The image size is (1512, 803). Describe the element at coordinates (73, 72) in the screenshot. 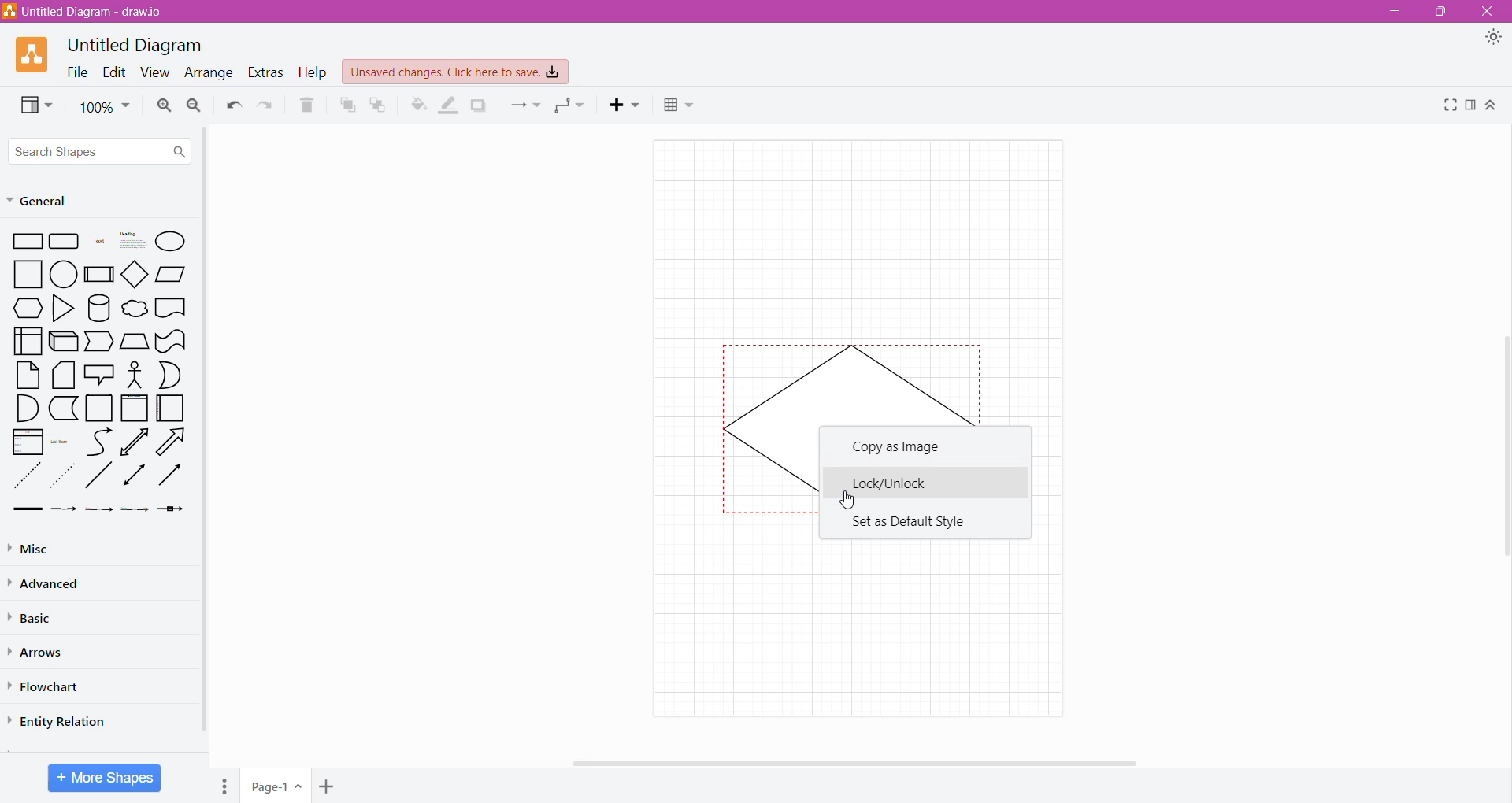

I see `File` at that location.